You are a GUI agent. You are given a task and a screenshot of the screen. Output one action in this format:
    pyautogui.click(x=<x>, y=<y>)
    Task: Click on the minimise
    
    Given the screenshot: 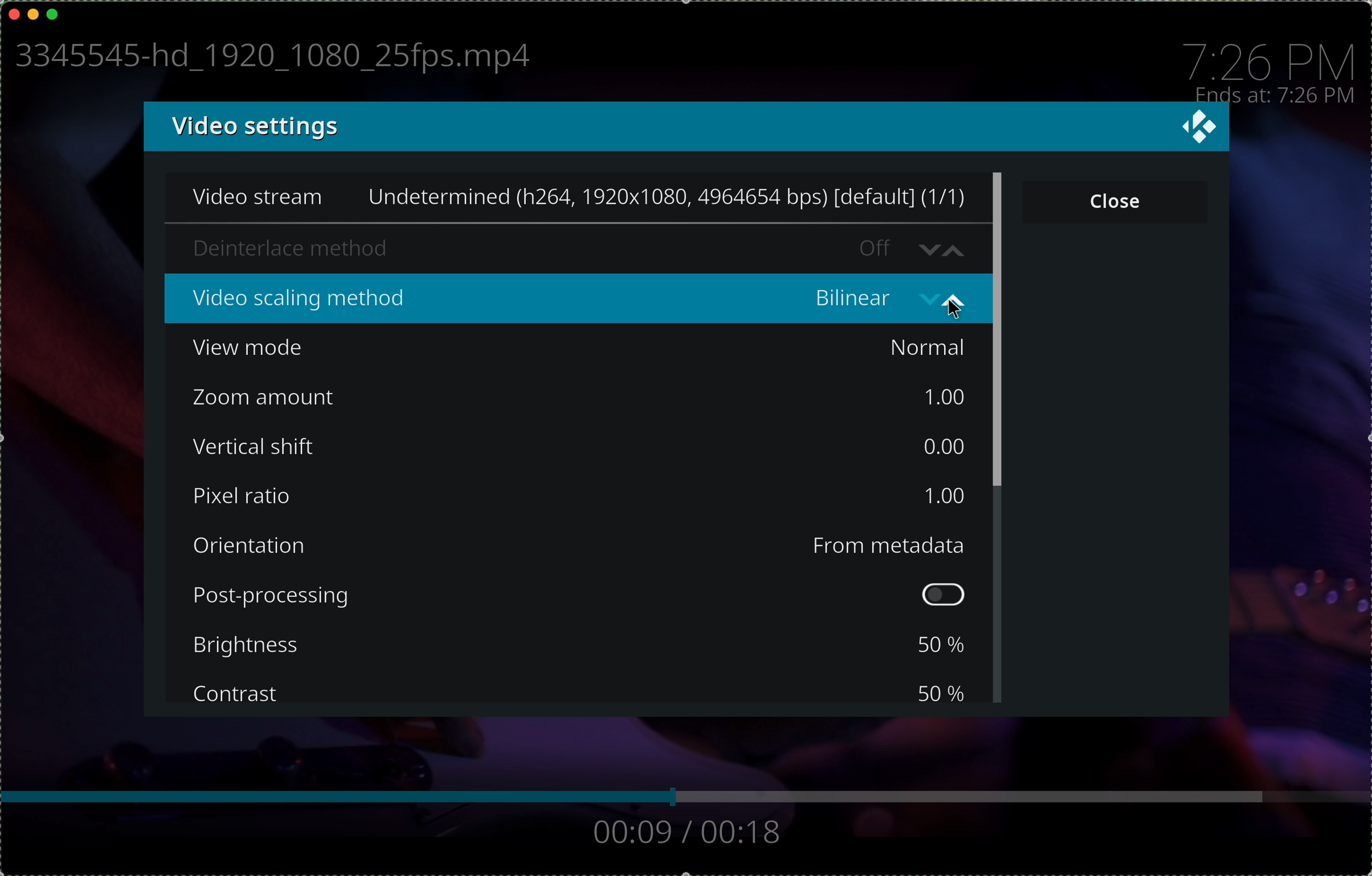 What is the action you would take?
    pyautogui.click(x=33, y=13)
    